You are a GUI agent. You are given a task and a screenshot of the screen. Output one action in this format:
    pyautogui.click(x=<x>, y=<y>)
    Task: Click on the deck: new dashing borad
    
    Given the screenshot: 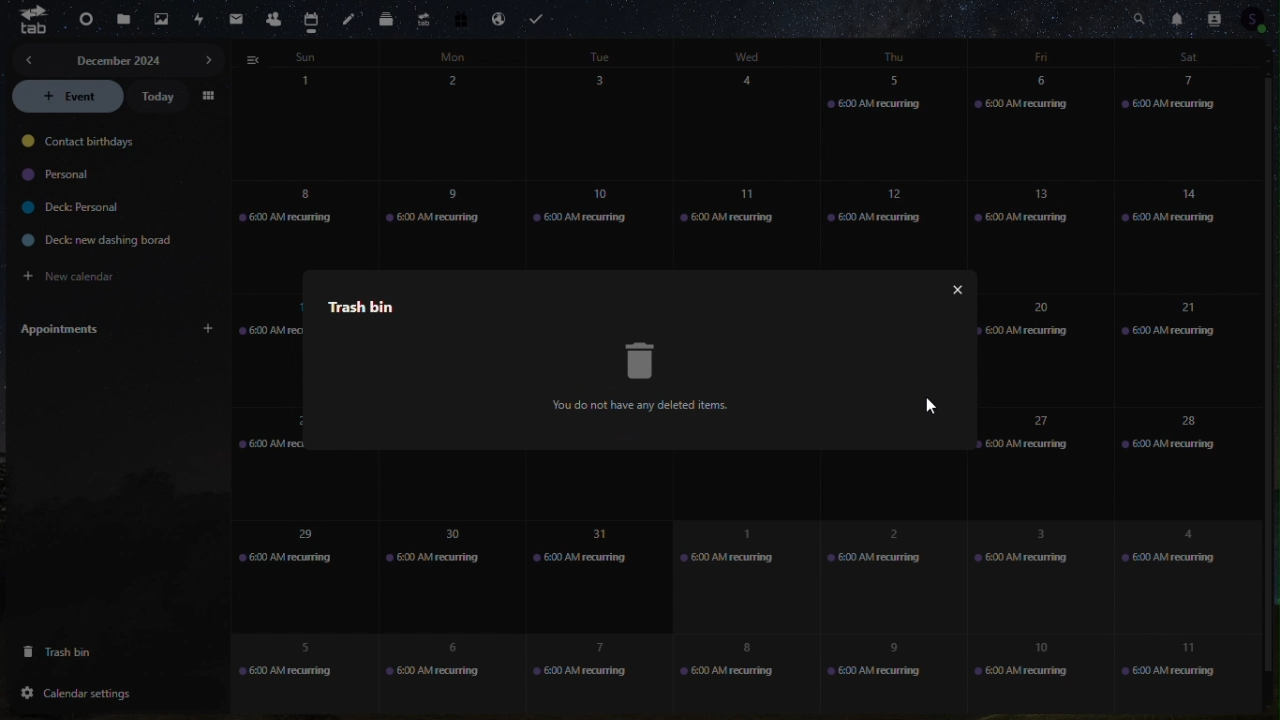 What is the action you would take?
    pyautogui.click(x=89, y=240)
    